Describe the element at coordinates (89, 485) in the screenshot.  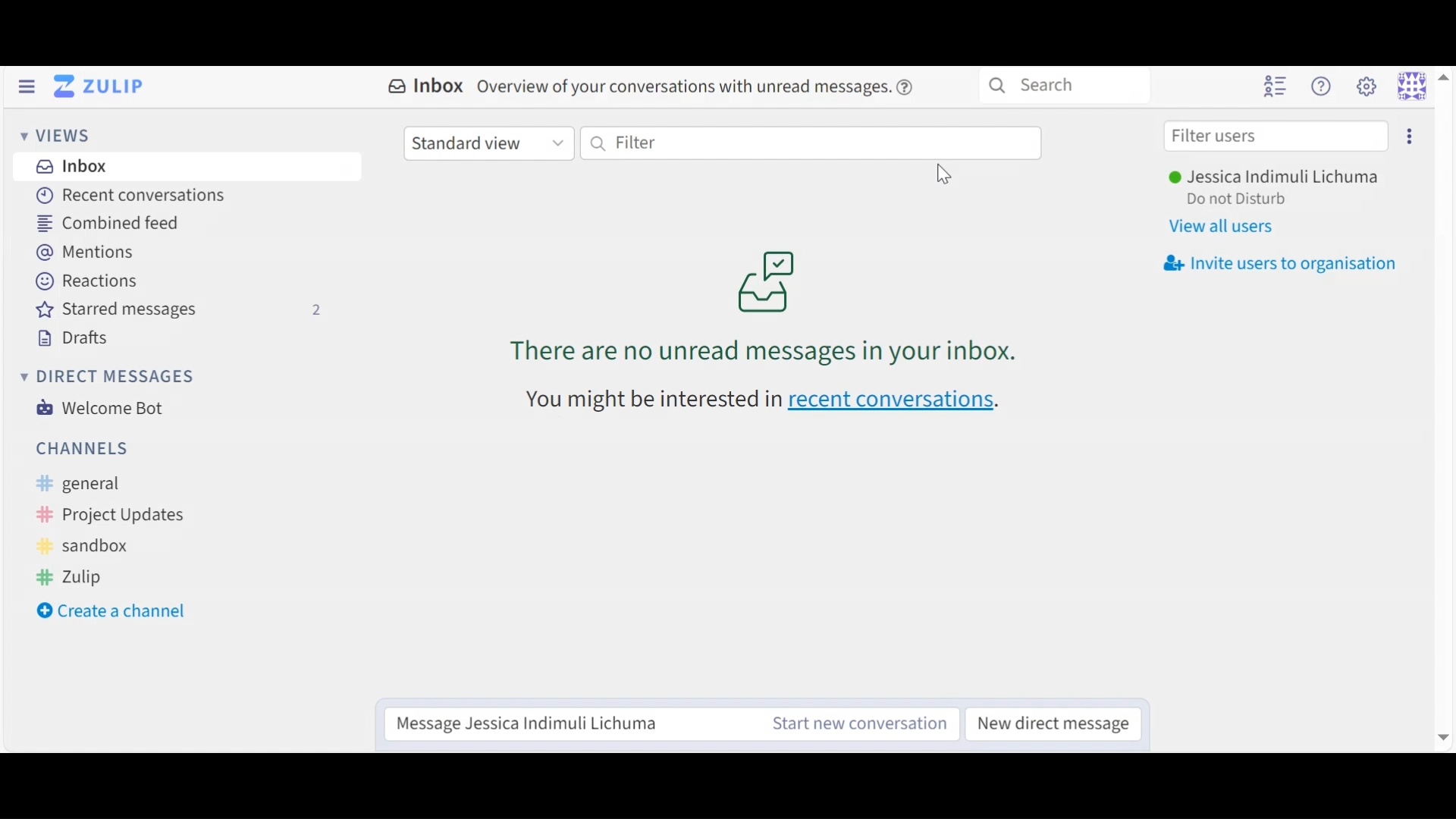
I see `general` at that location.